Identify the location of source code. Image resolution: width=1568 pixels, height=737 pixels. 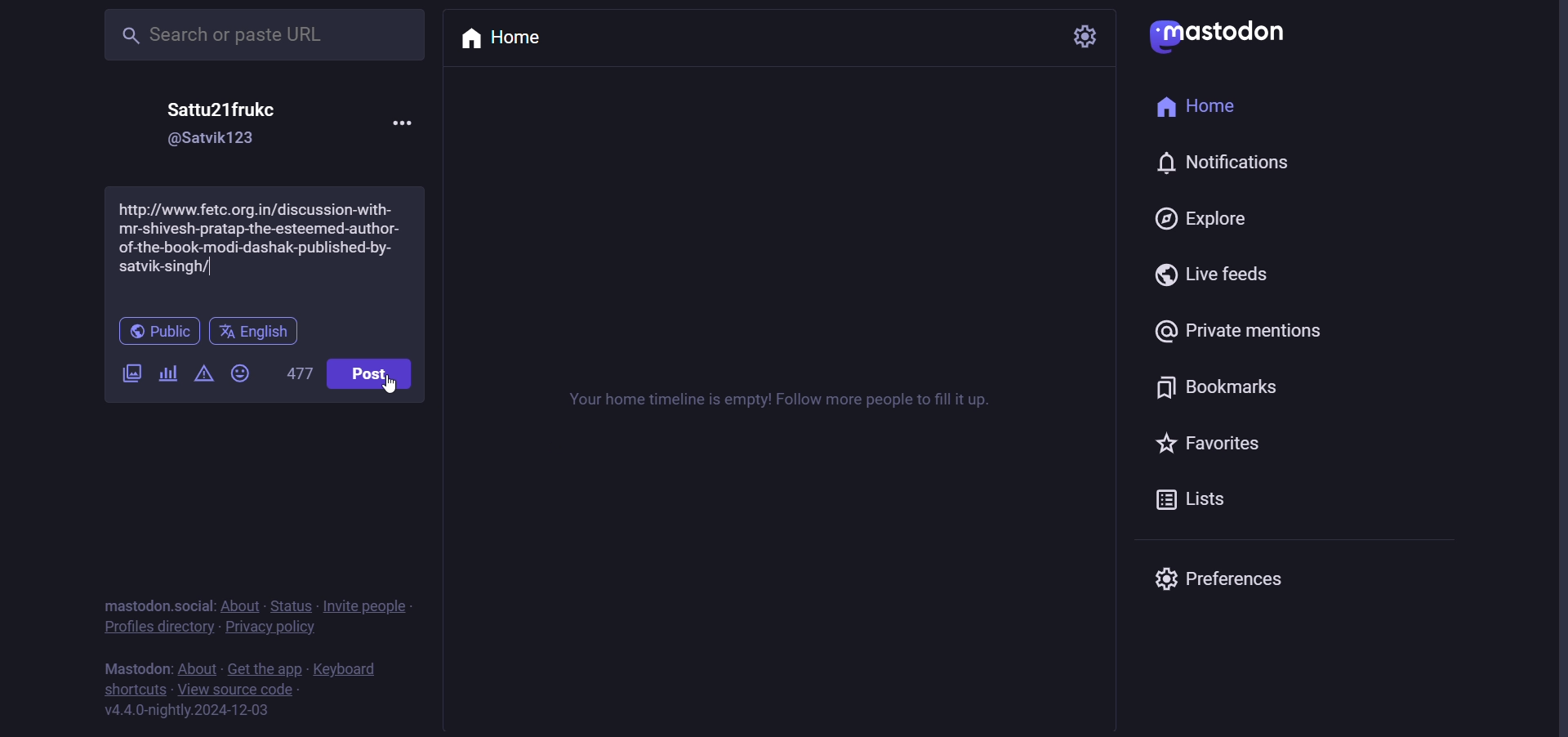
(234, 690).